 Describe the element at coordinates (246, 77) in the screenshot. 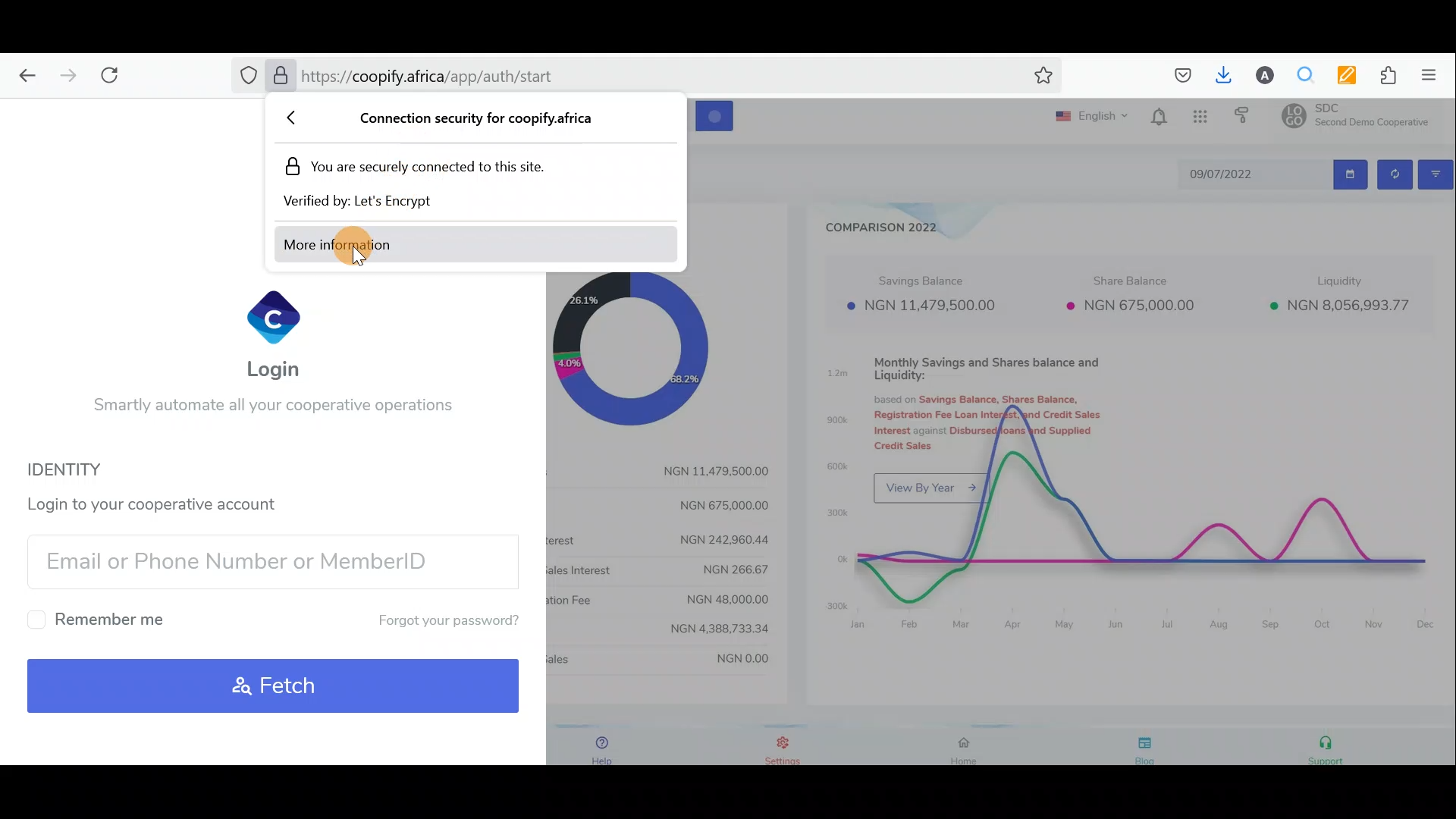

I see `No trackers detected` at that location.